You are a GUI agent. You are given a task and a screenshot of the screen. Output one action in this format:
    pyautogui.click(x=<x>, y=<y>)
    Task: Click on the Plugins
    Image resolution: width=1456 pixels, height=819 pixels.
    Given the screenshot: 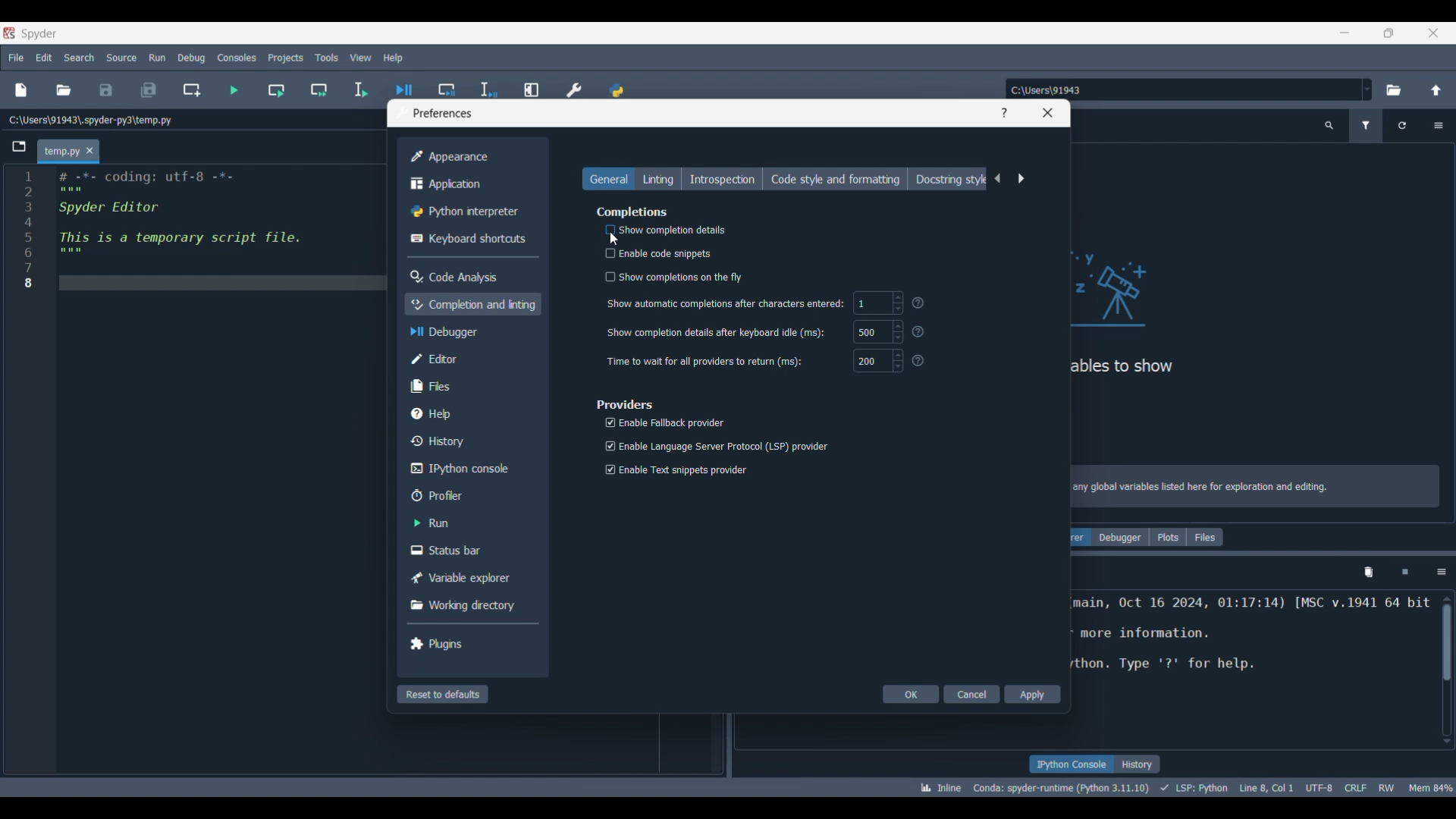 What is the action you would take?
    pyautogui.click(x=469, y=643)
    